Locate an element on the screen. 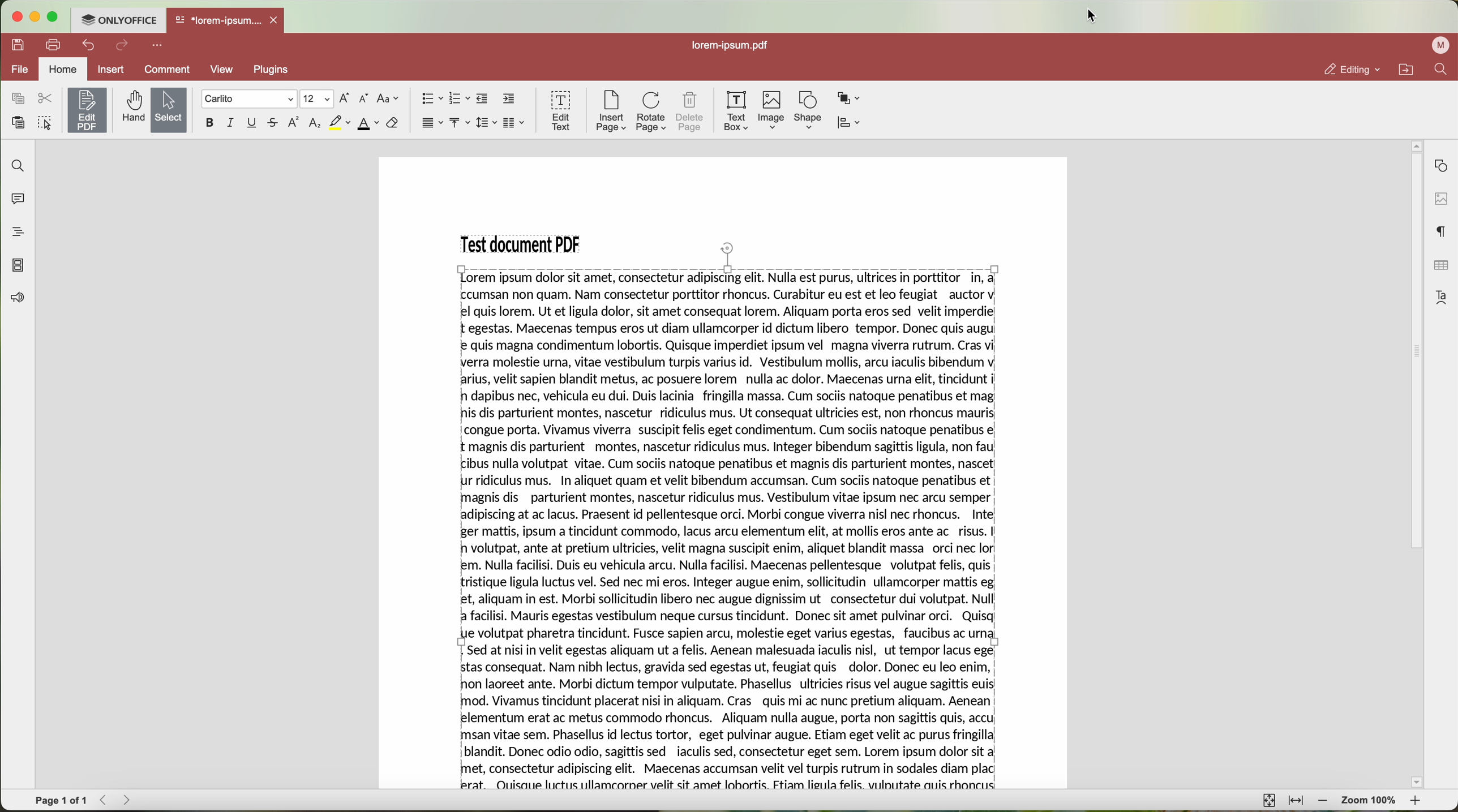 The height and width of the screenshot is (812, 1458). Plugins is located at coordinates (272, 70).